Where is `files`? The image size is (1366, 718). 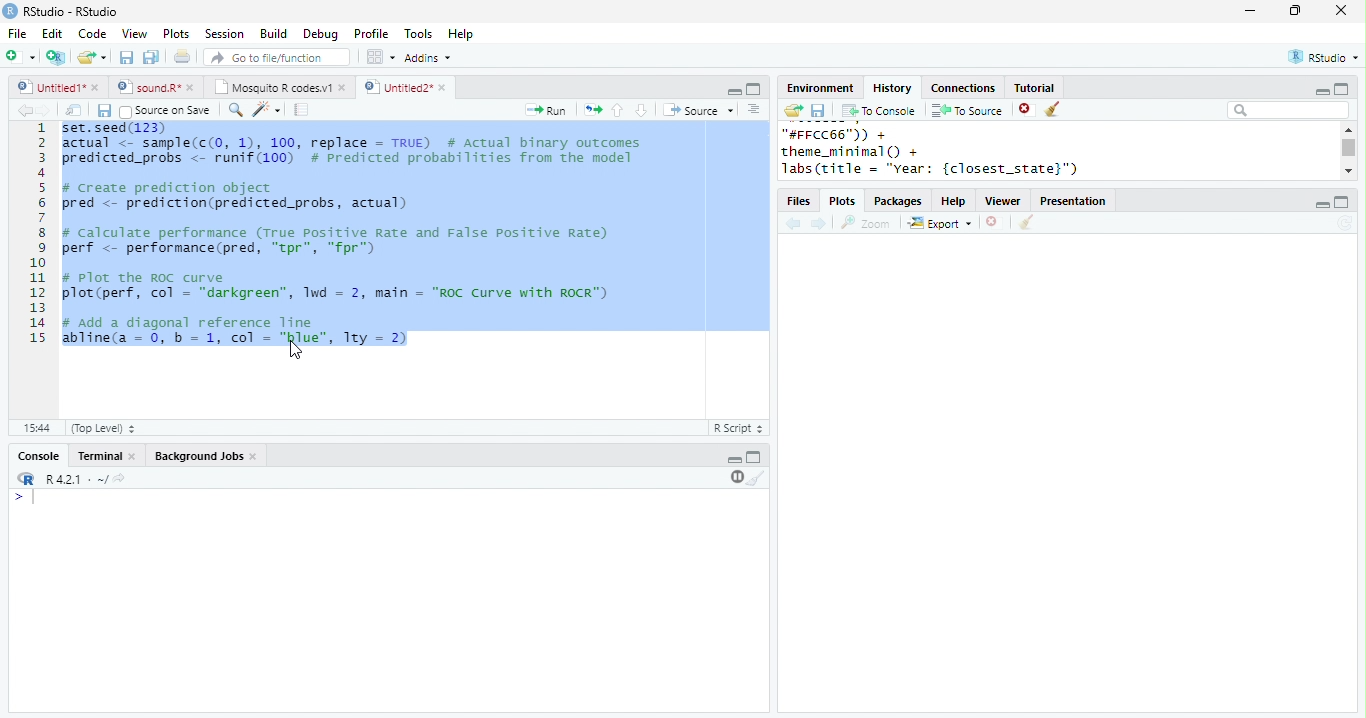
files is located at coordinates (800, 202).